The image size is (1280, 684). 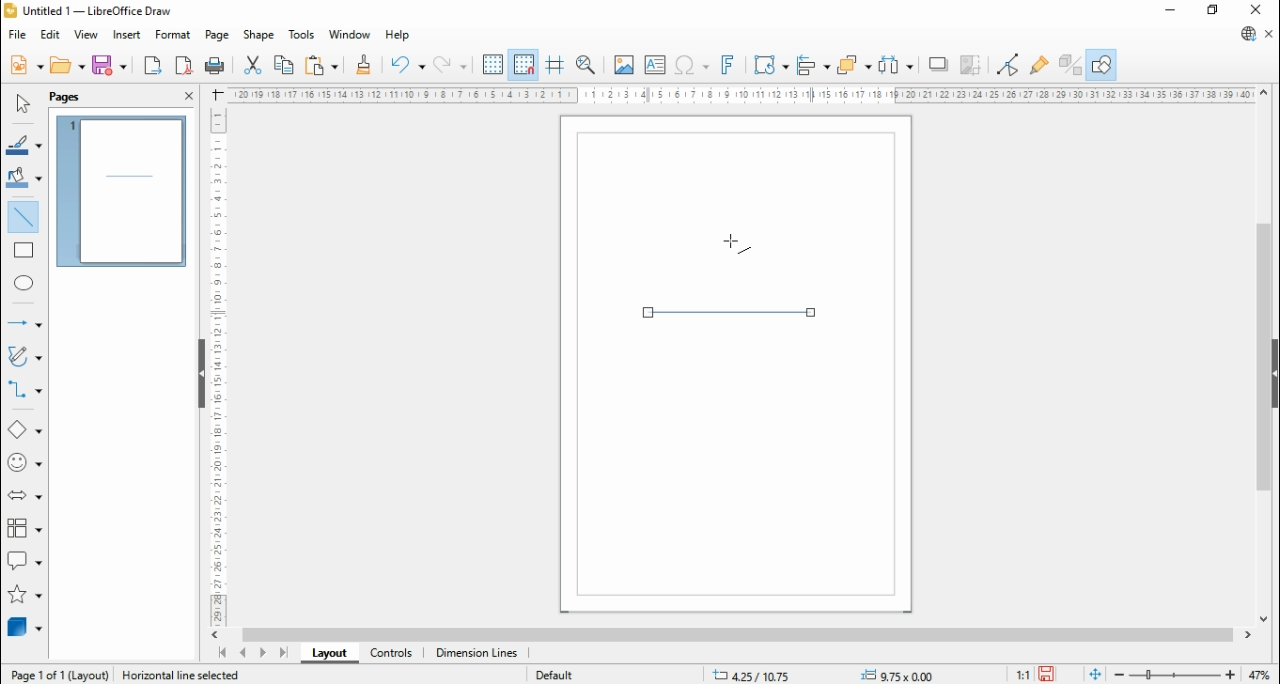 I want to click on first page, so click(x=220, y=653).